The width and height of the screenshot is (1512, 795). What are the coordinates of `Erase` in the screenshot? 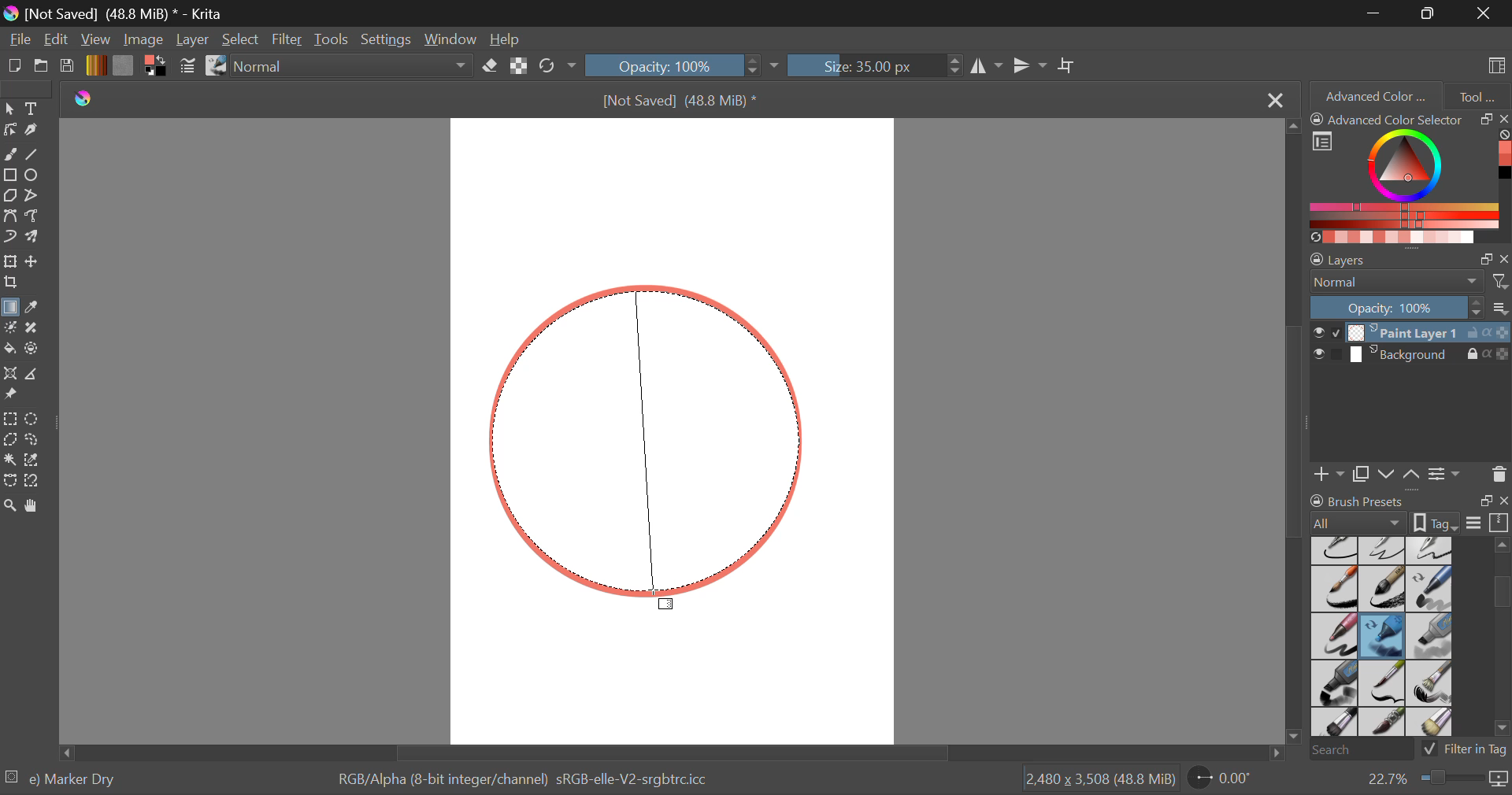 It's located at (493, 68).